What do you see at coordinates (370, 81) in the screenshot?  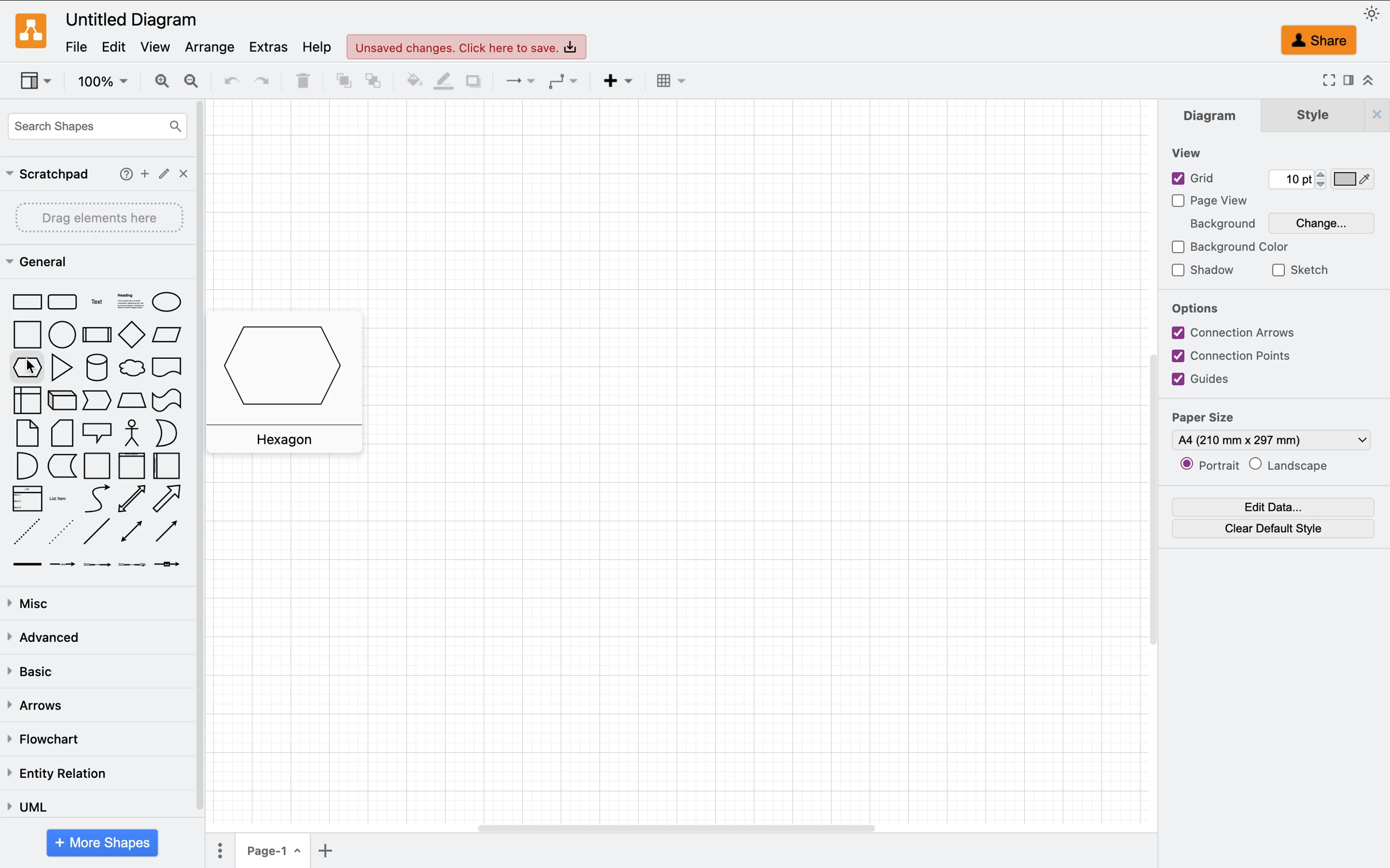 I see `to back` at bounding box center [370, 81].